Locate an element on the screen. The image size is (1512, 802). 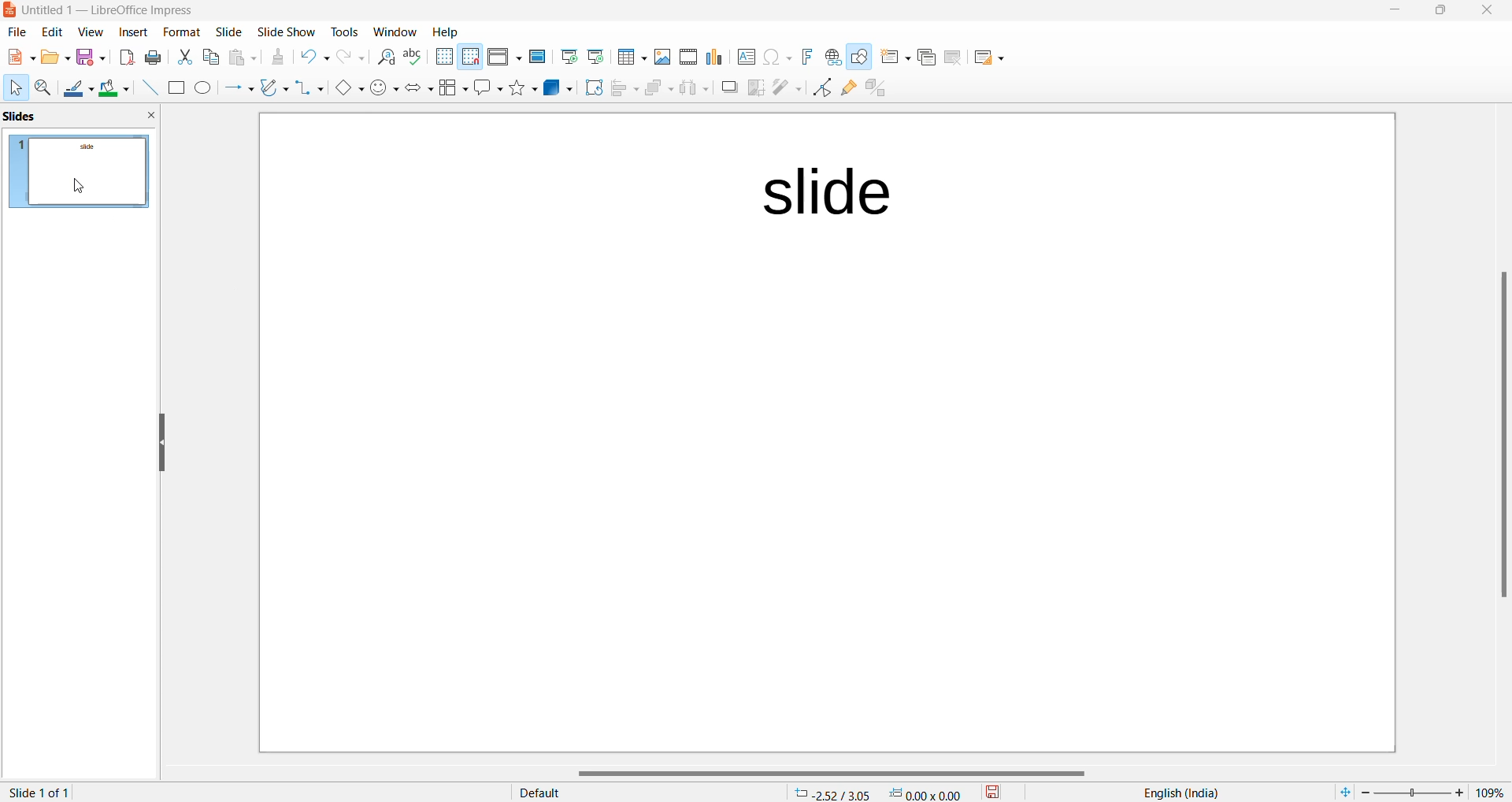
display grid is located at coordinates (443, 58).